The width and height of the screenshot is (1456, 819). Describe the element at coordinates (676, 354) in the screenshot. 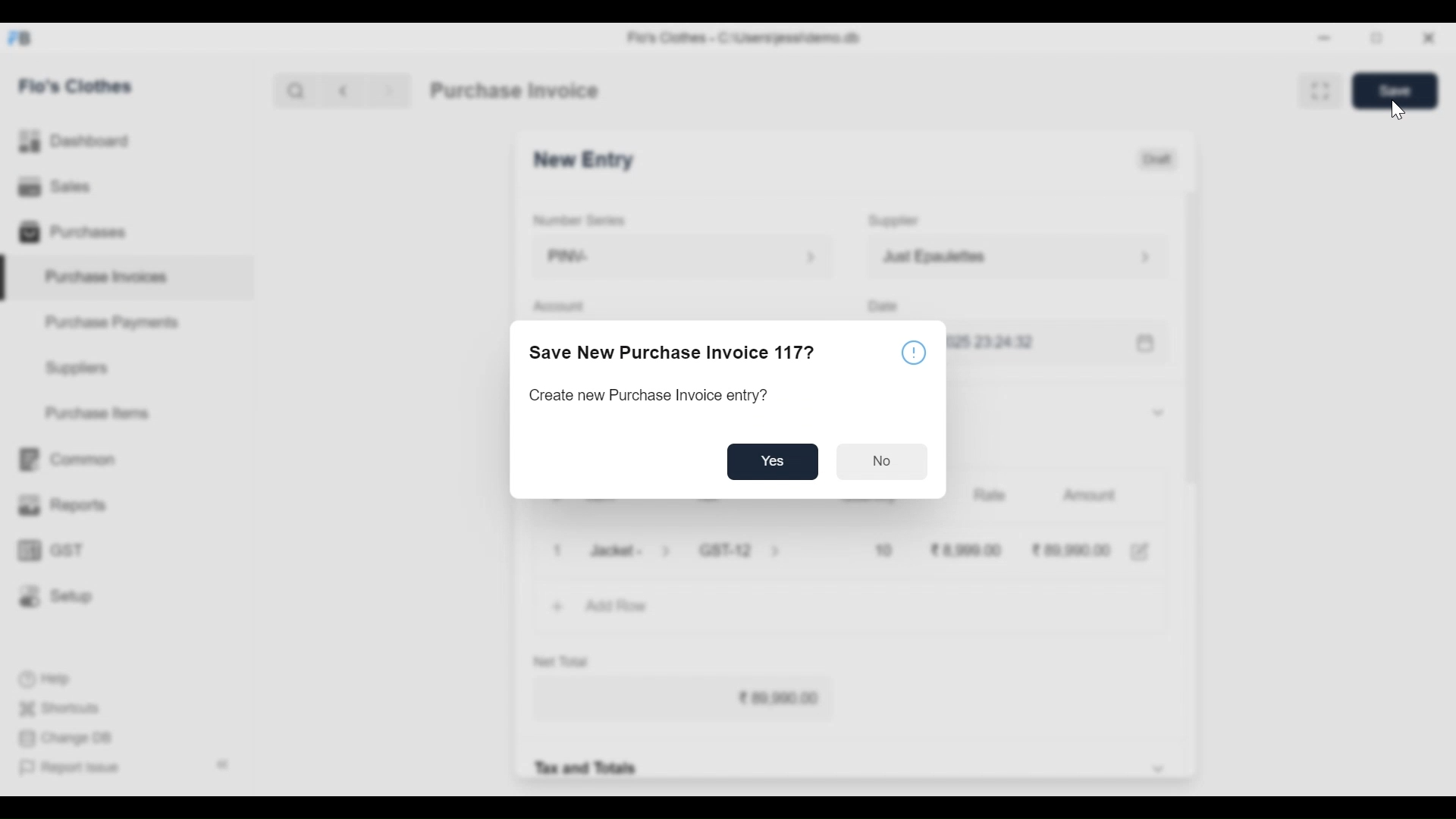

I see `Save New Purchase Invoice 117?` at that location.